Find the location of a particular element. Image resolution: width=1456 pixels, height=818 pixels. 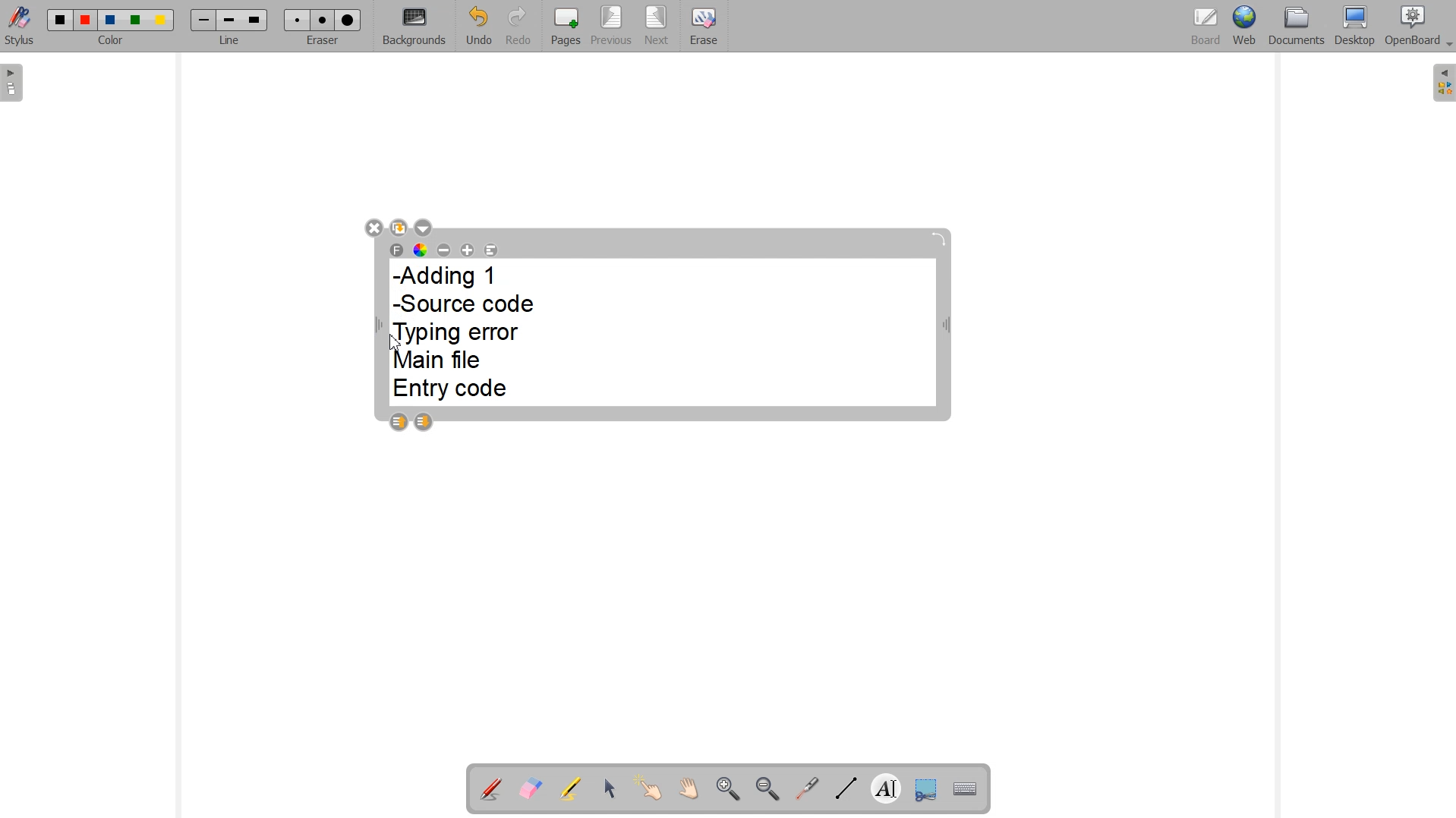

Virtual laser pointer is located at coordinates (807, 788).